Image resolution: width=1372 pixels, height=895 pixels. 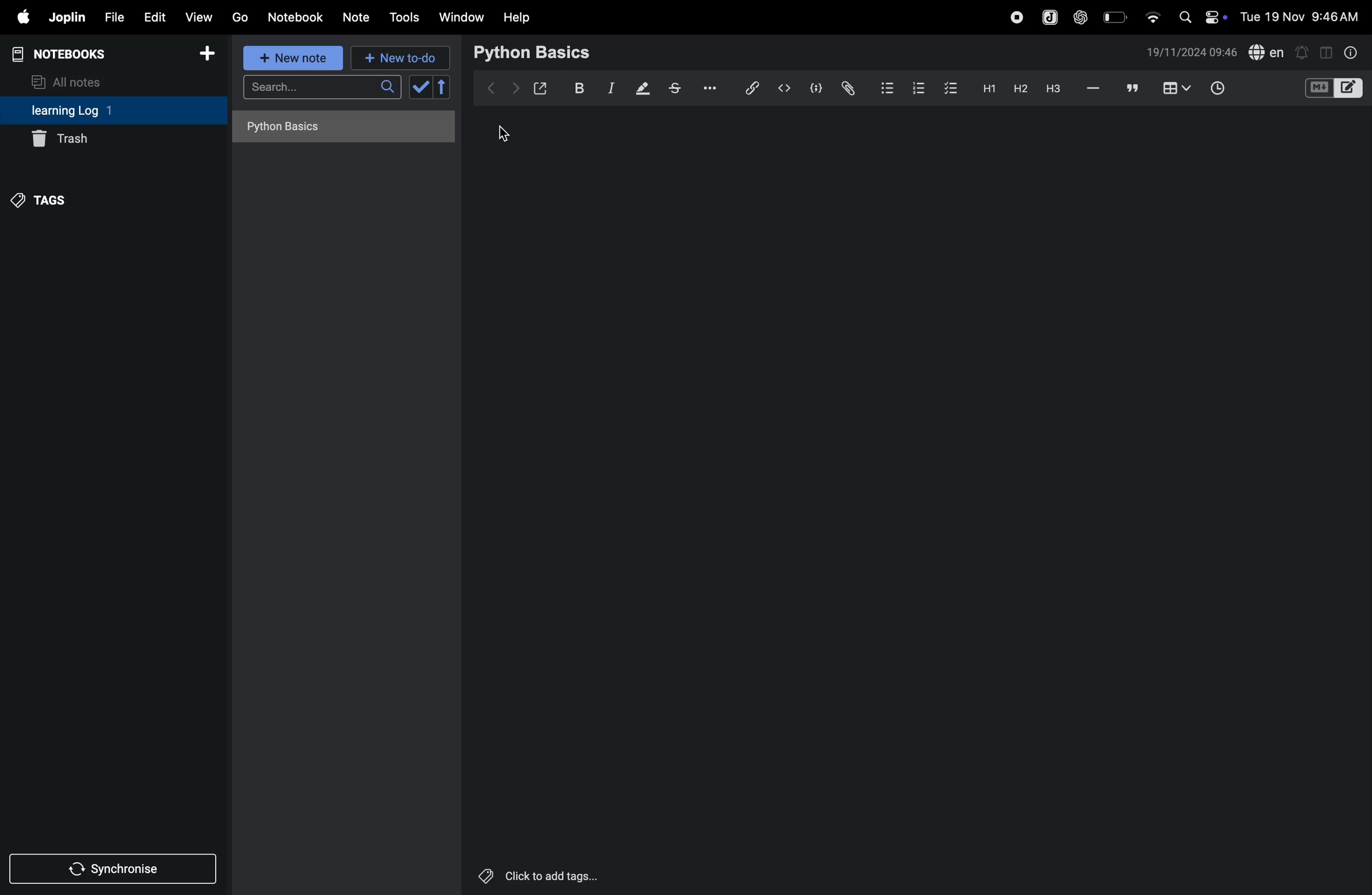 I want to click on synchronise, so click(x=115, y=870).